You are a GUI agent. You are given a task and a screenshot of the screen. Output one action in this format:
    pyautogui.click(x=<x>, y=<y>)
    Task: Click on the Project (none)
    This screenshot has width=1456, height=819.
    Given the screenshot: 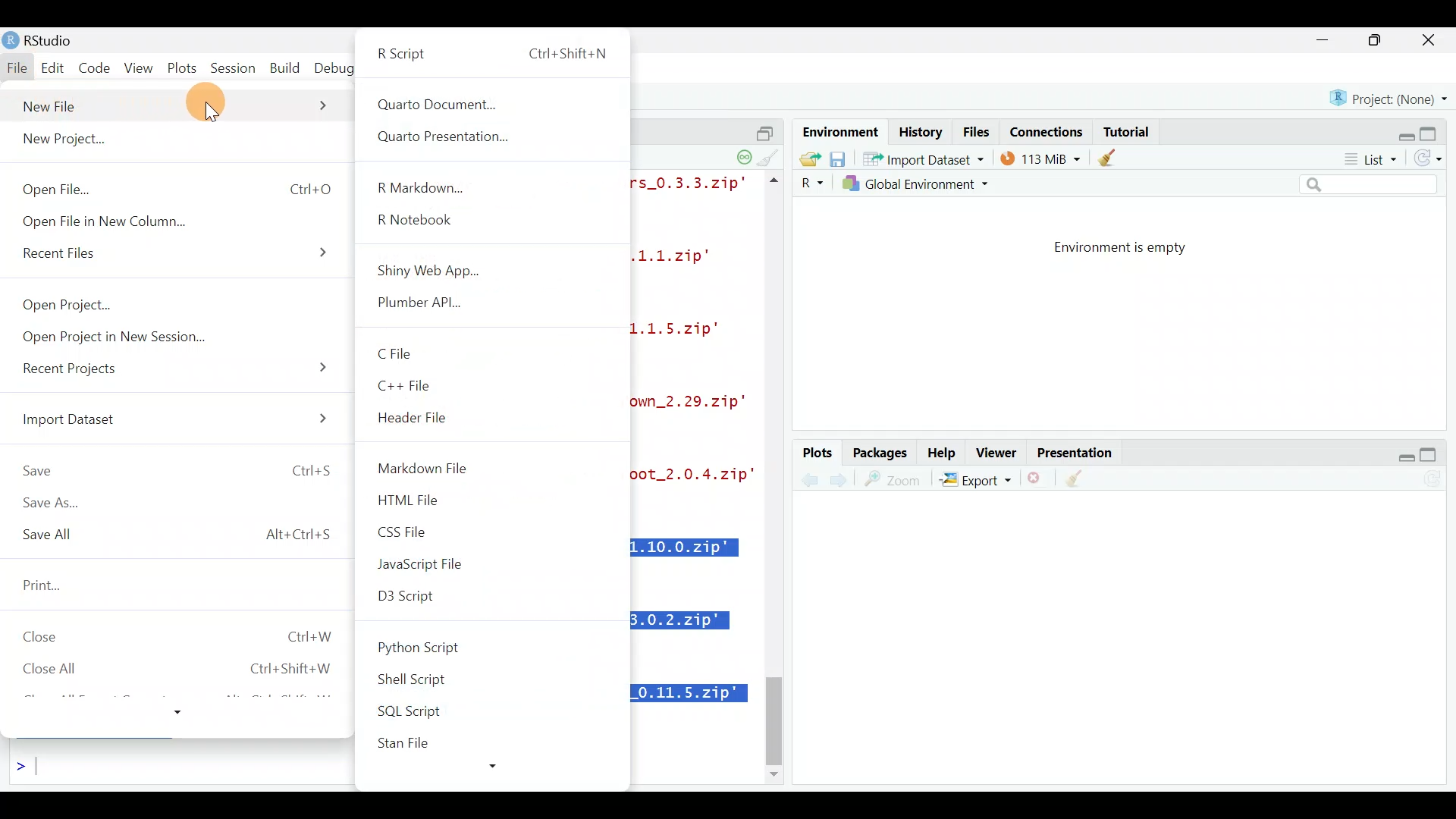 What is the action you would take?
    pyautogui.click(x=1393, y=96)
    